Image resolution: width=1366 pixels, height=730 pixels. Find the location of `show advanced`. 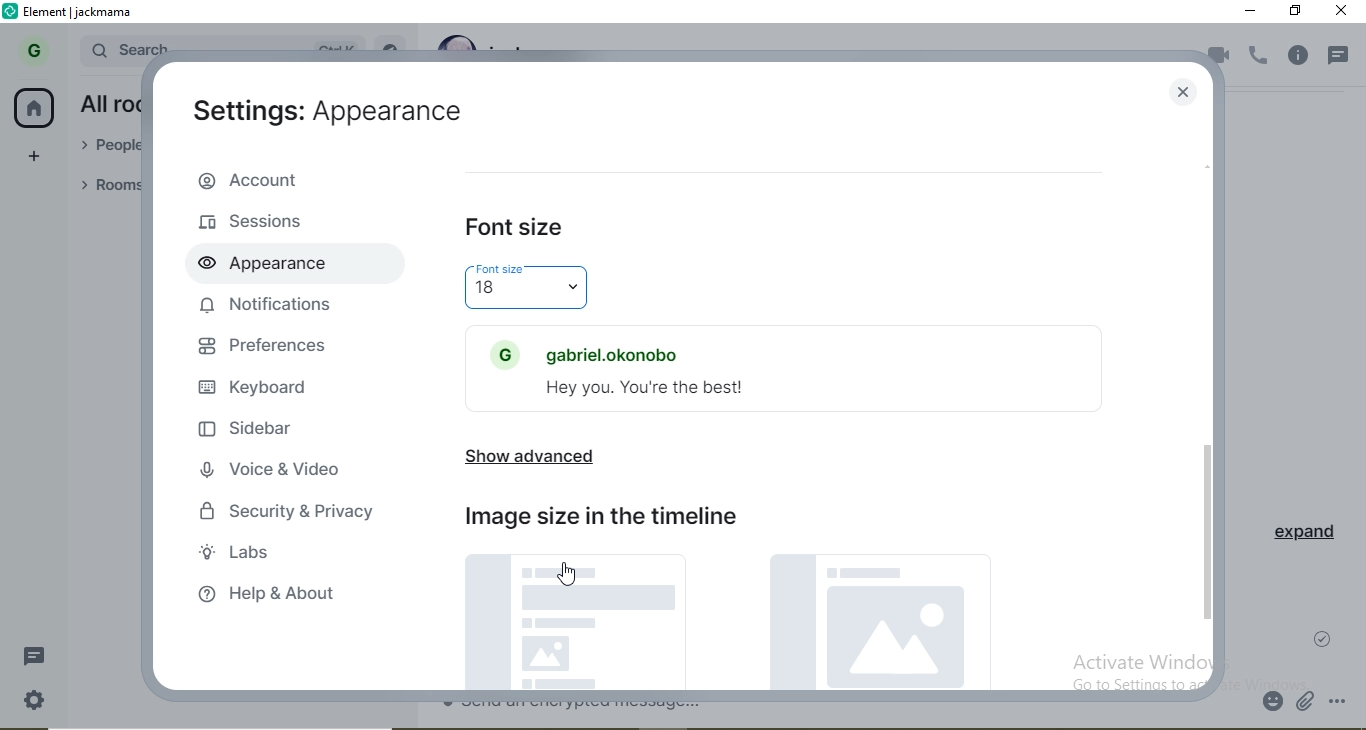

show advanced is located at coordinates (525, 446).